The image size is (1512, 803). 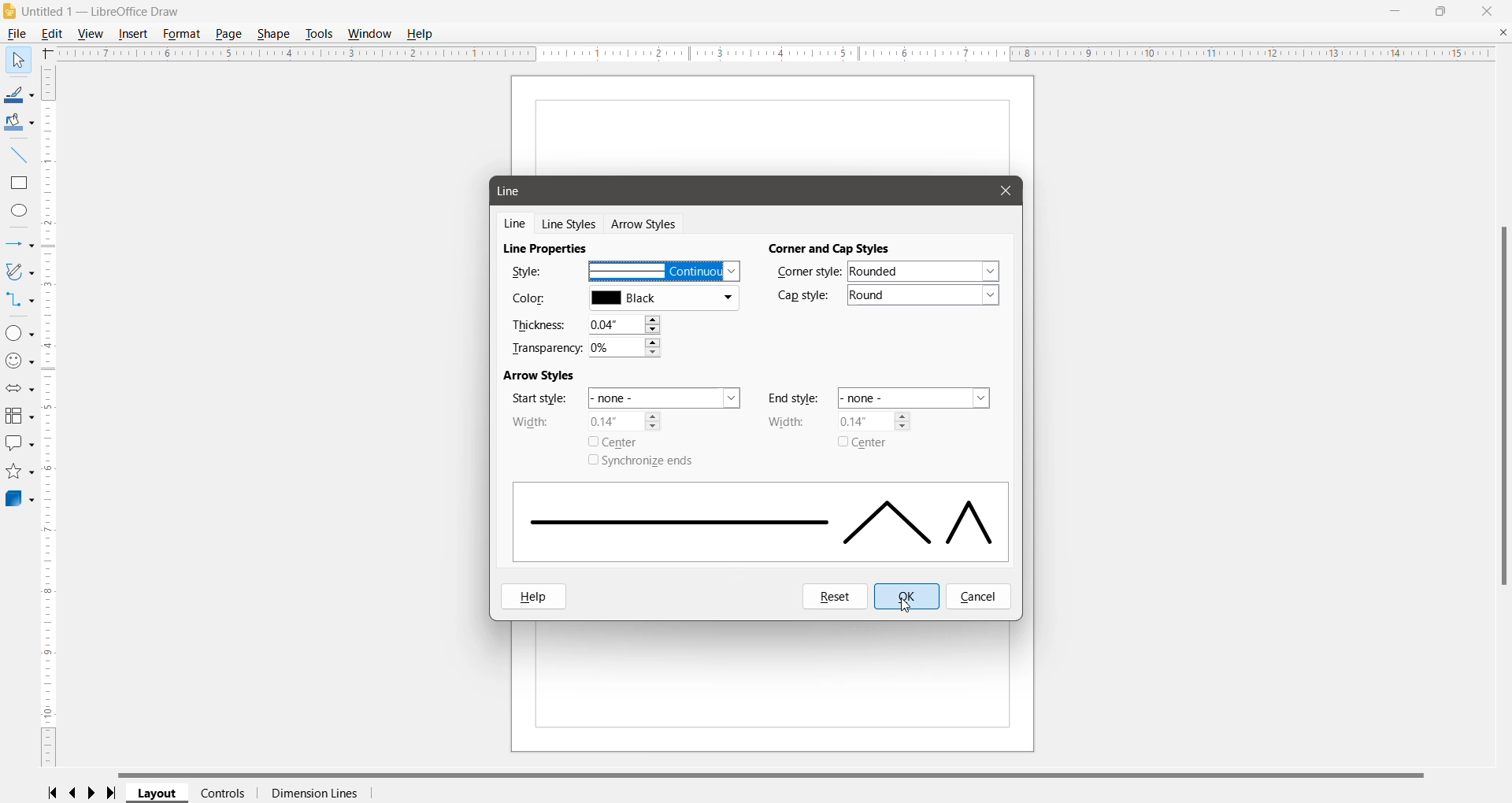 What do you see at coordinates (20, 95) in the screenshot?
I see `Line Color` at bounding box center [20, 95].